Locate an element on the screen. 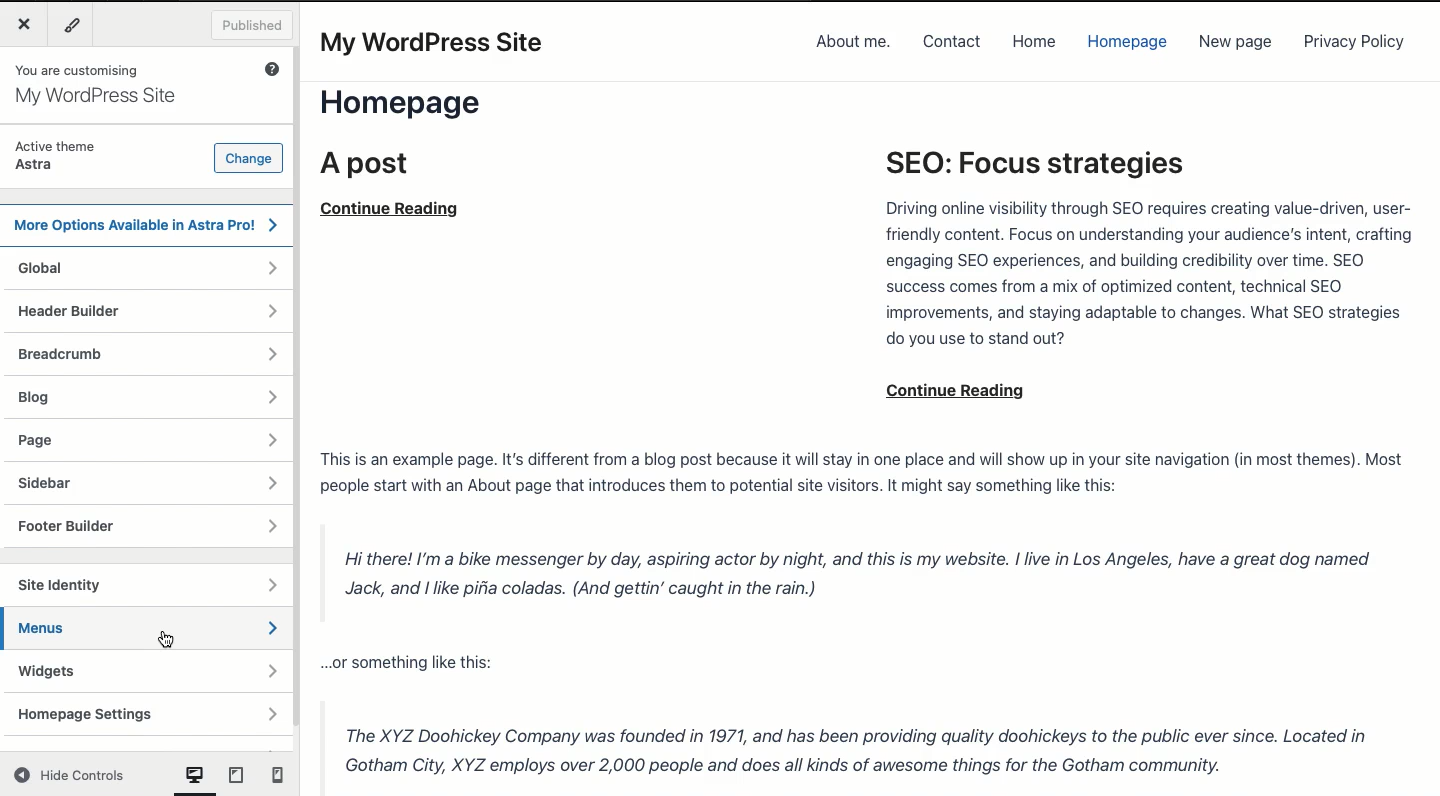  New page is located at coordinates (1235, 43).